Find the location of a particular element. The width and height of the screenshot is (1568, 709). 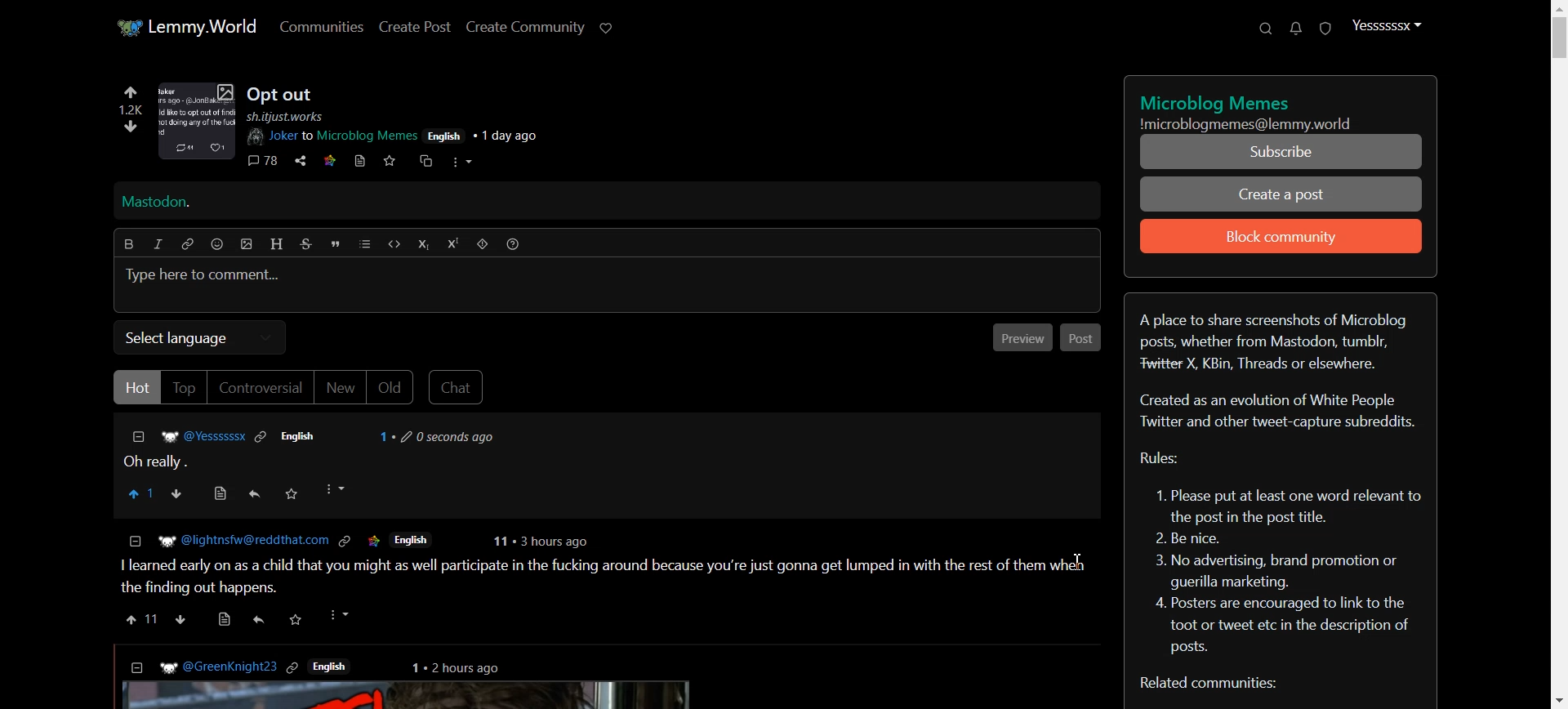

save is located at coordinates (298, 618).